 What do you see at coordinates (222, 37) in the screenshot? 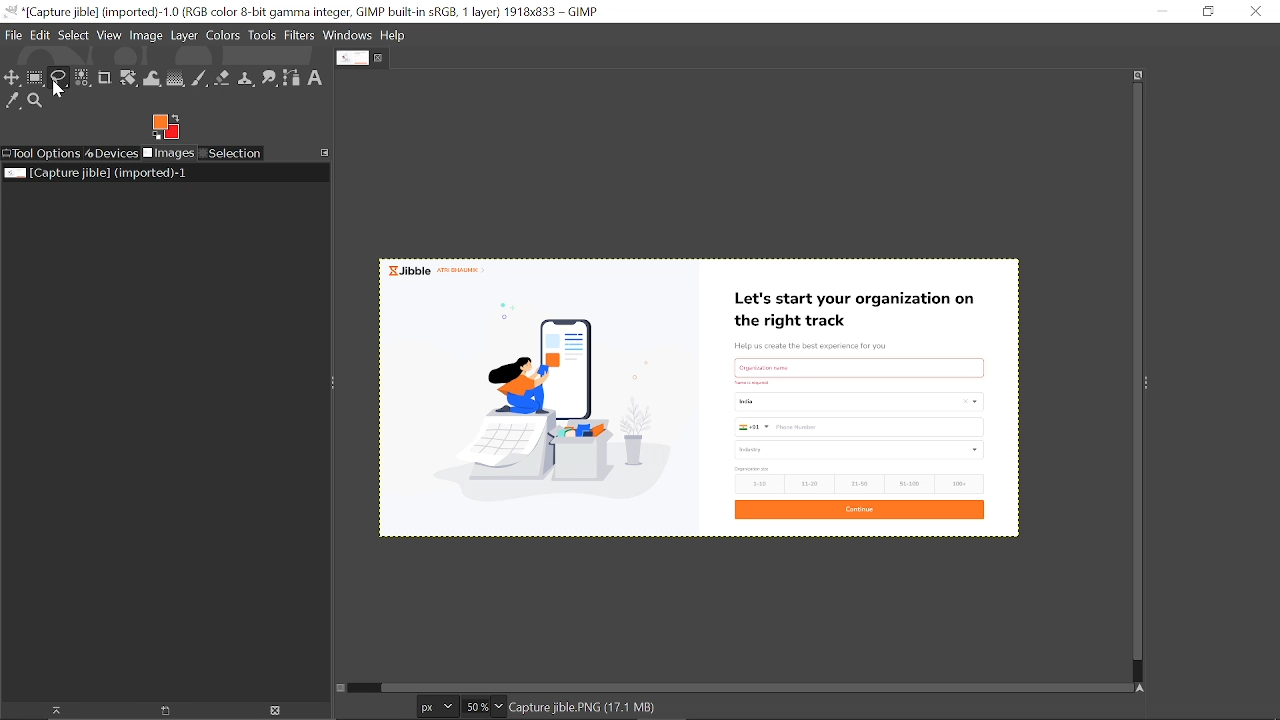
I see `Colors` at bounding box center [222, 37].